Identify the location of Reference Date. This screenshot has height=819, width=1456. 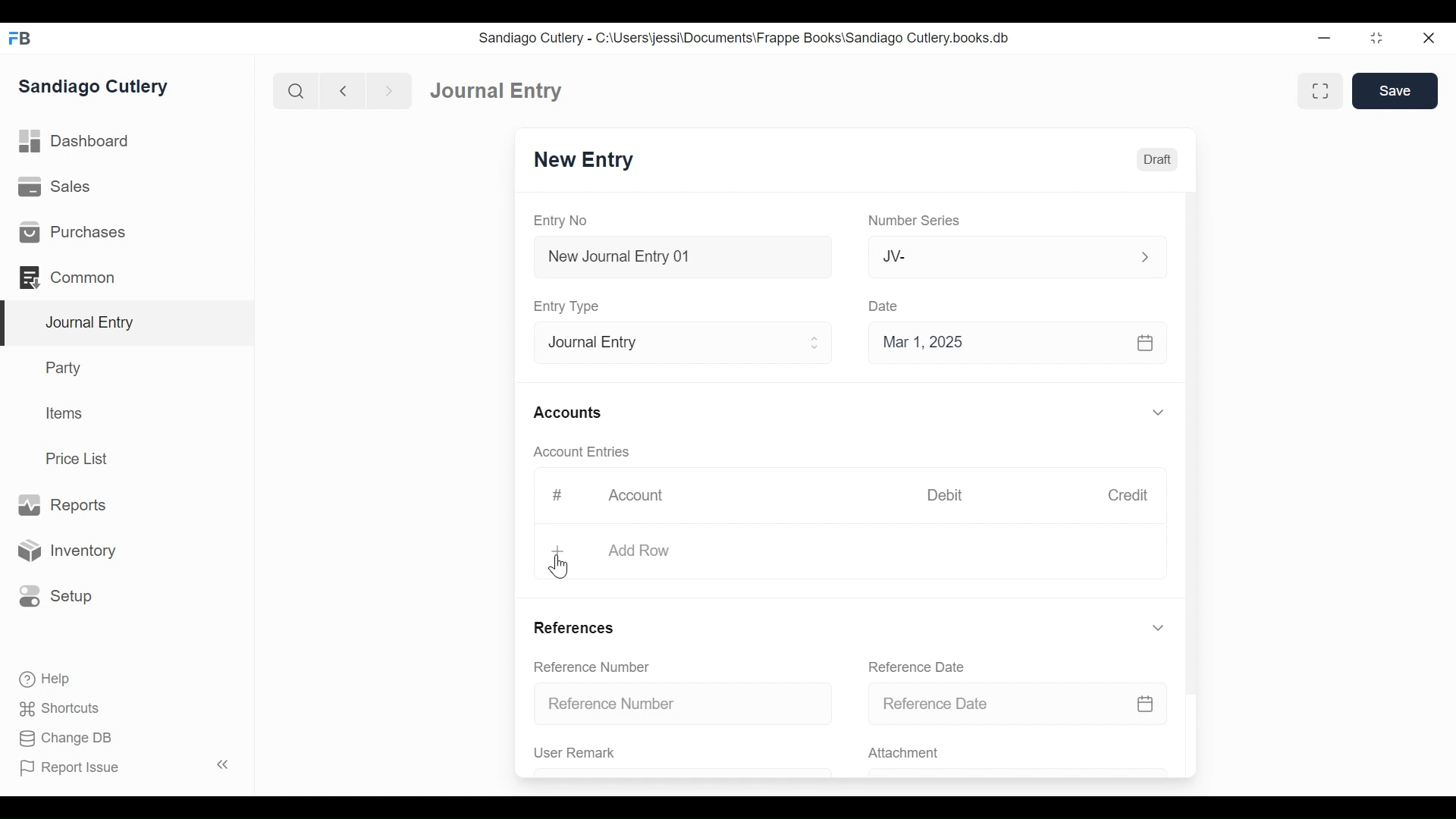
(1018, 702).